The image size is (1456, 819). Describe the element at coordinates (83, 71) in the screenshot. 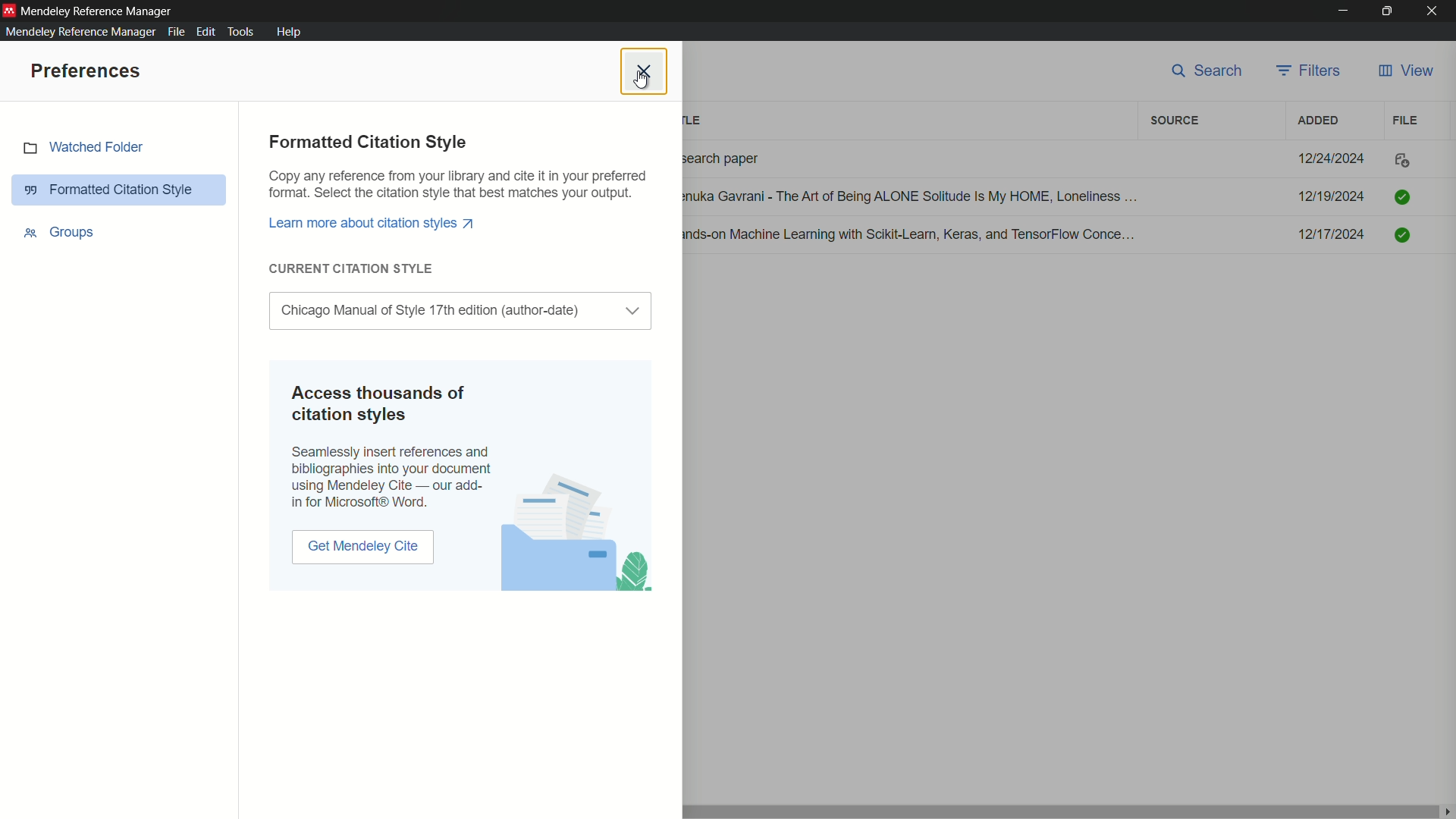

I see `preferences` at that location.